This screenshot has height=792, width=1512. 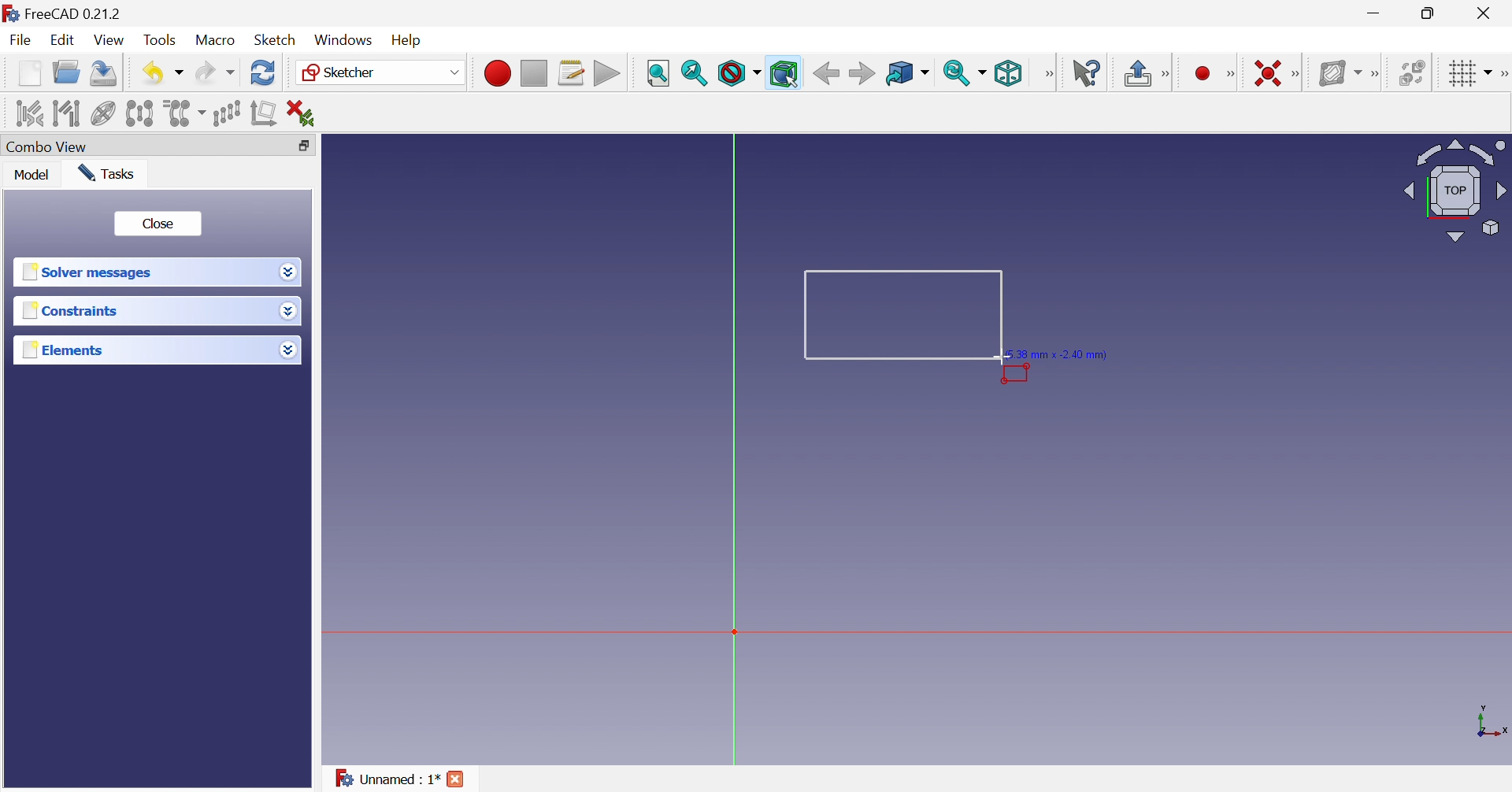 What do you see at coordinates (1233, 75) in the screenshot?
I see `Sketcher geometries` at bounding box center [1233, 75].